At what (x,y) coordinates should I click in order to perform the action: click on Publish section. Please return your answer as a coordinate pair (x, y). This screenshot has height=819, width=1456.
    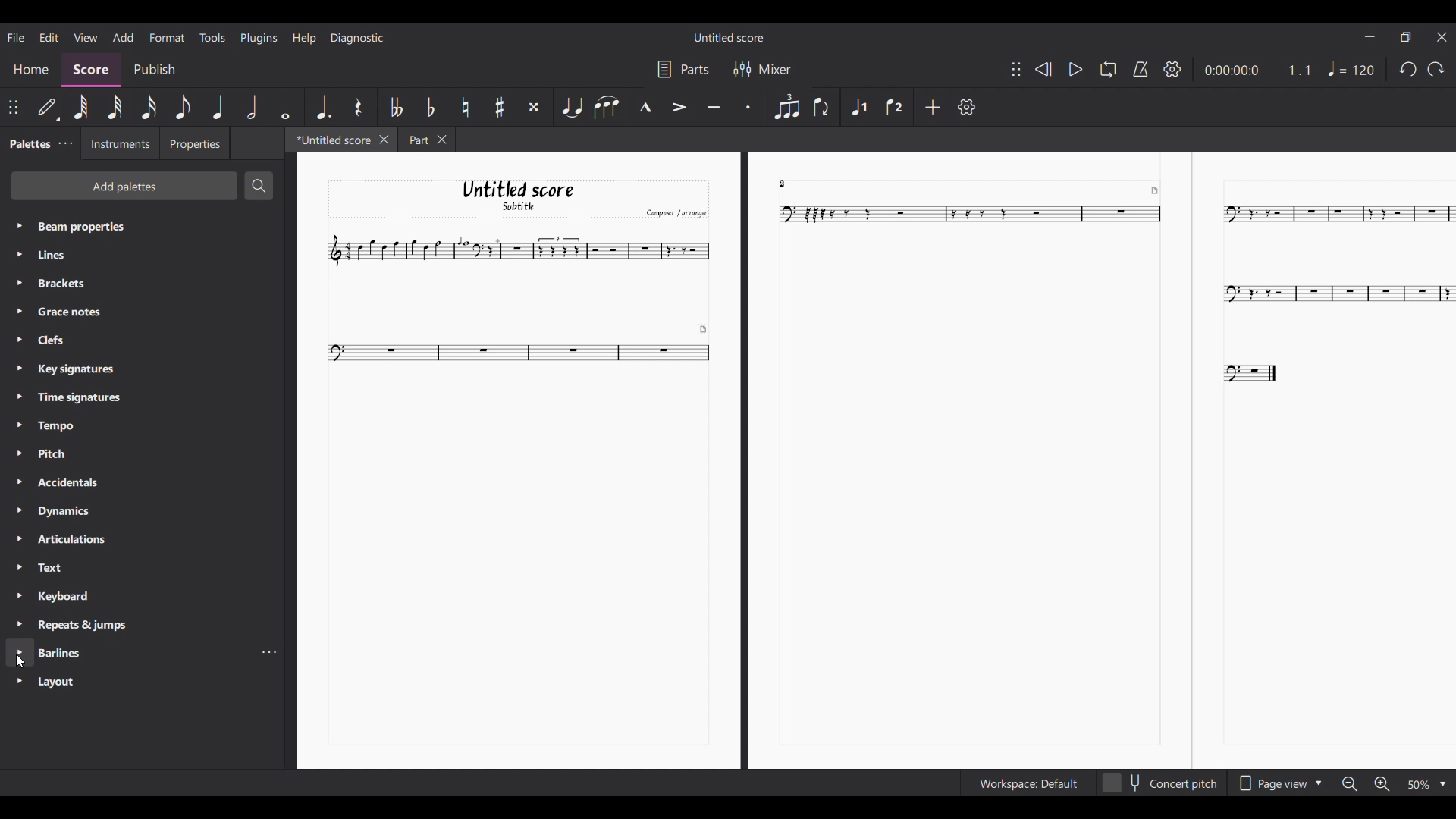
    Looking at the image, I should click on (155, 69).